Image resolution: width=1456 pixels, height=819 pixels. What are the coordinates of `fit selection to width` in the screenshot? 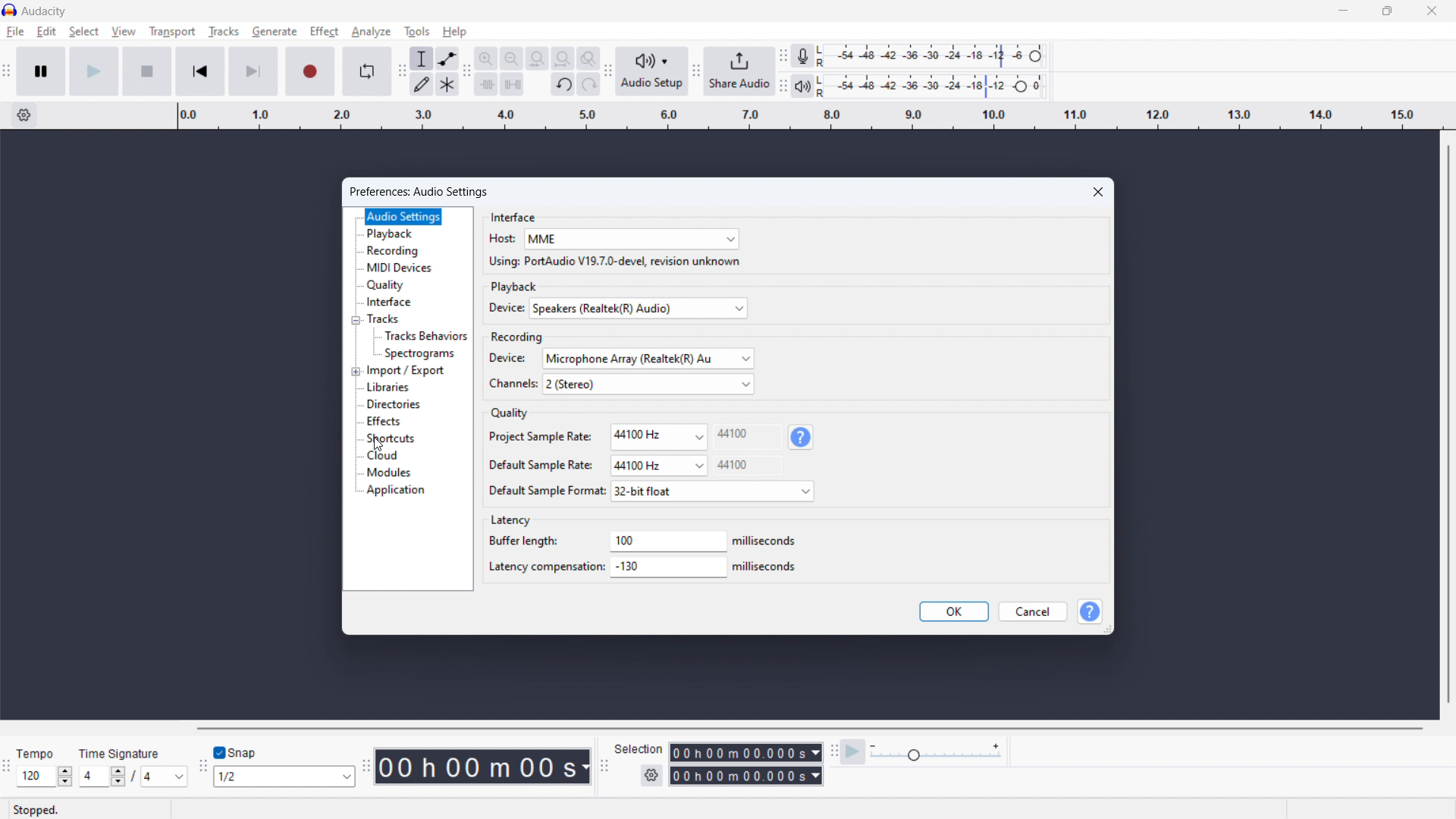 It's located at (537, 58).